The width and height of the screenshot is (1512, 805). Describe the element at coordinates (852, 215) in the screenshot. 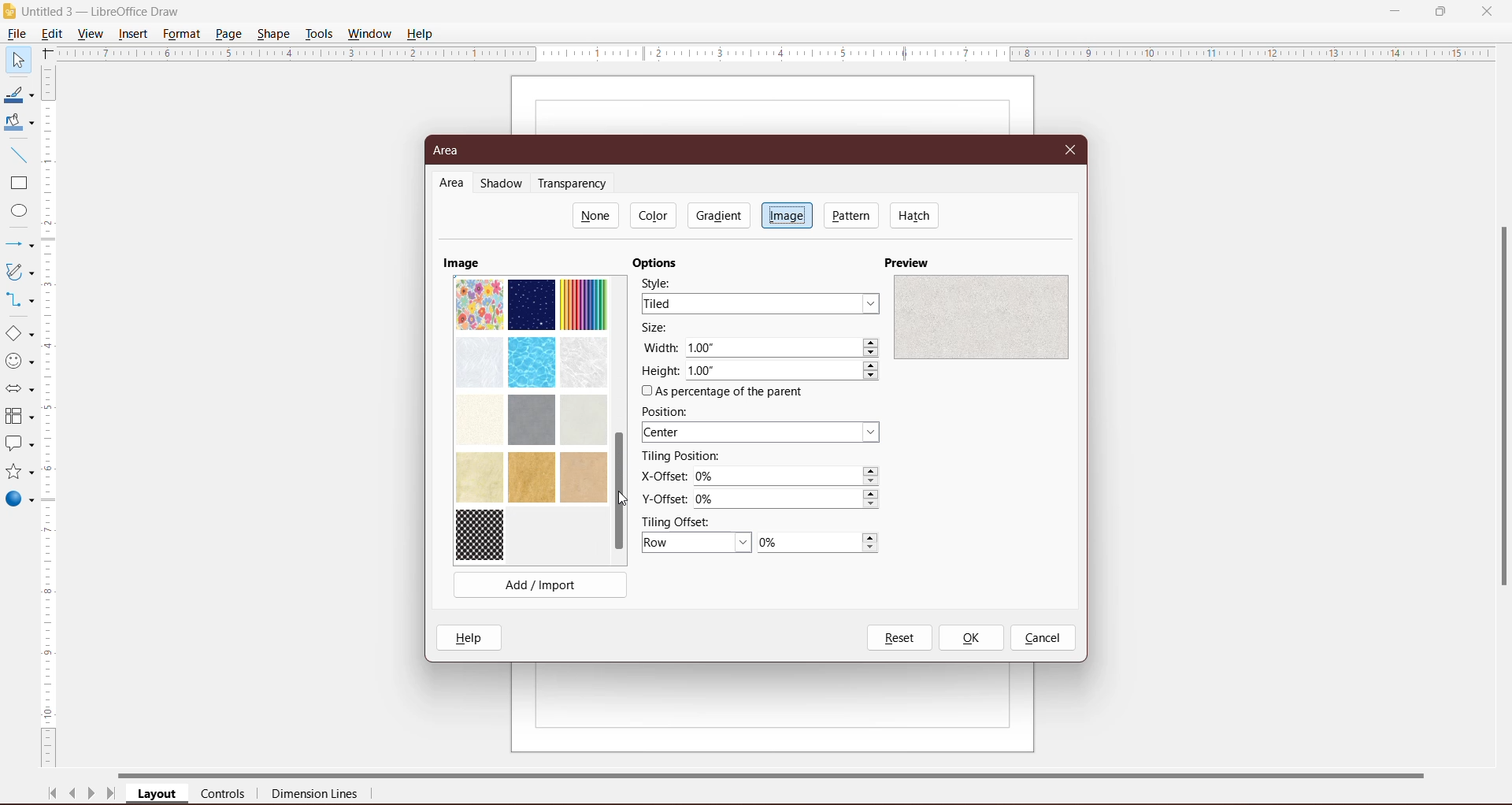

I see `Pattern` at that location.